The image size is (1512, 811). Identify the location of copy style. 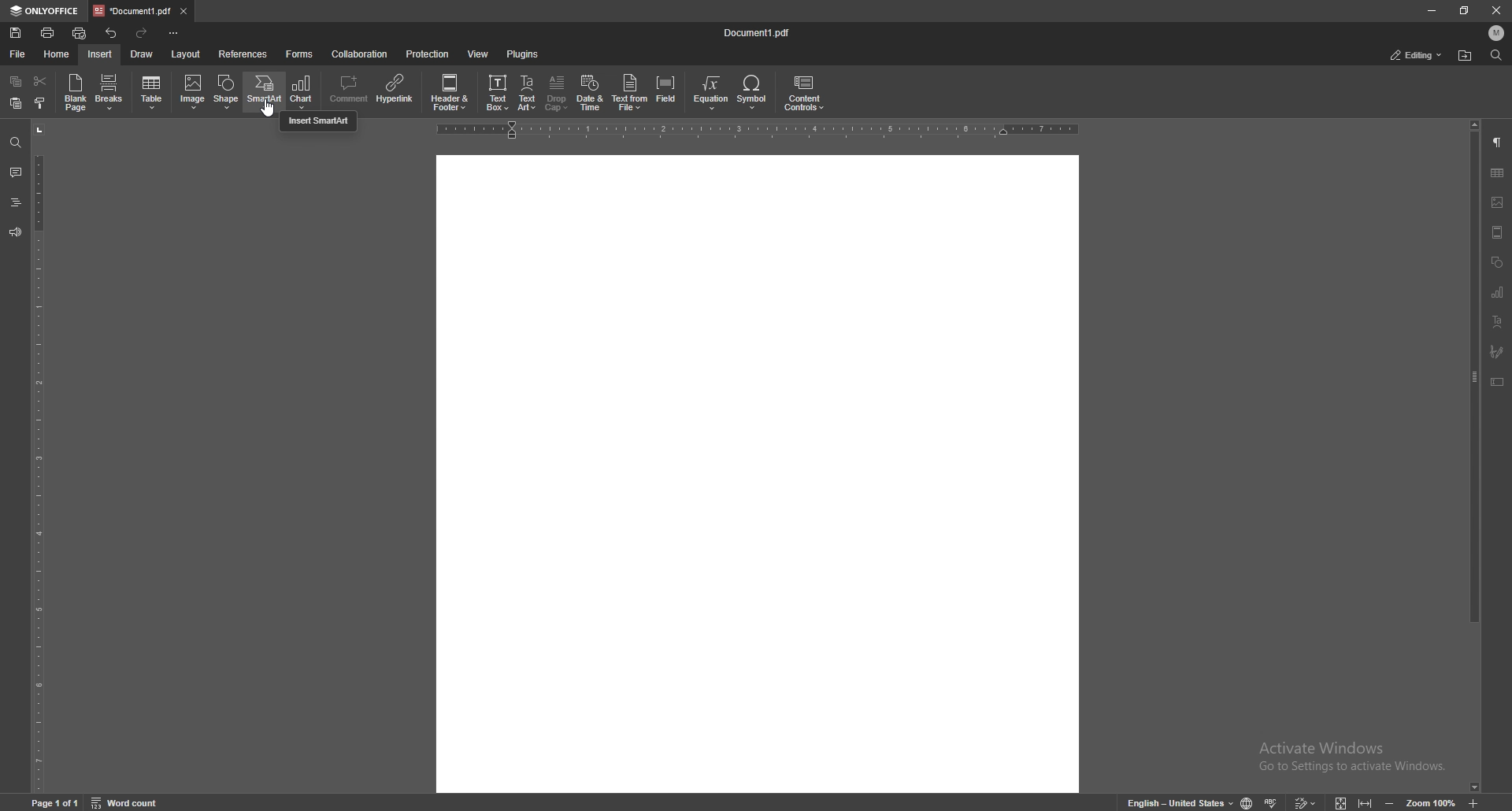
(41, 102).